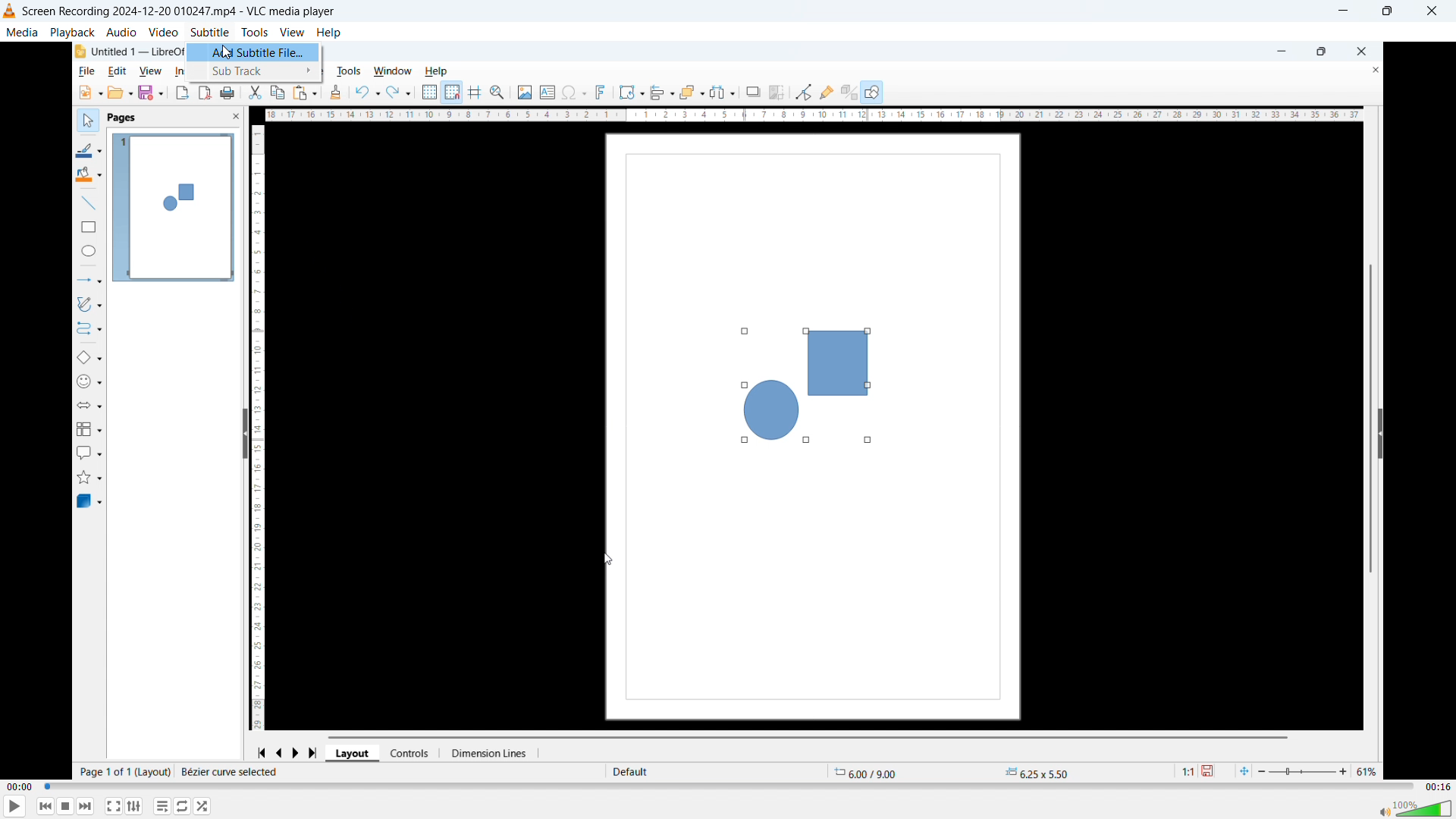  Describe the element at coordinates (662, 93) in the screenshot. I see `align object` at that location.